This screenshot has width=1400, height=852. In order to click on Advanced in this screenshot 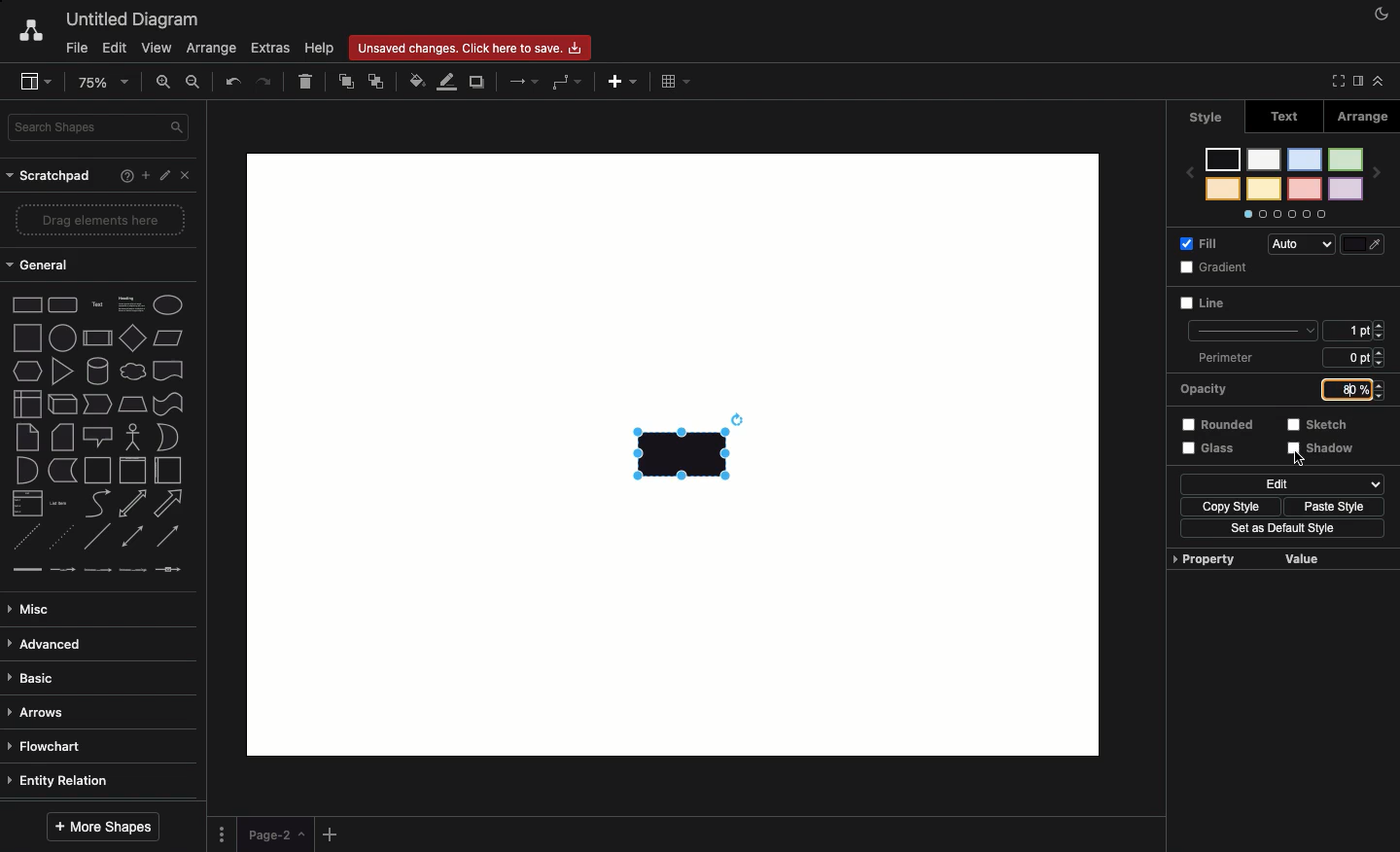, I will do `click(54, 644)`.